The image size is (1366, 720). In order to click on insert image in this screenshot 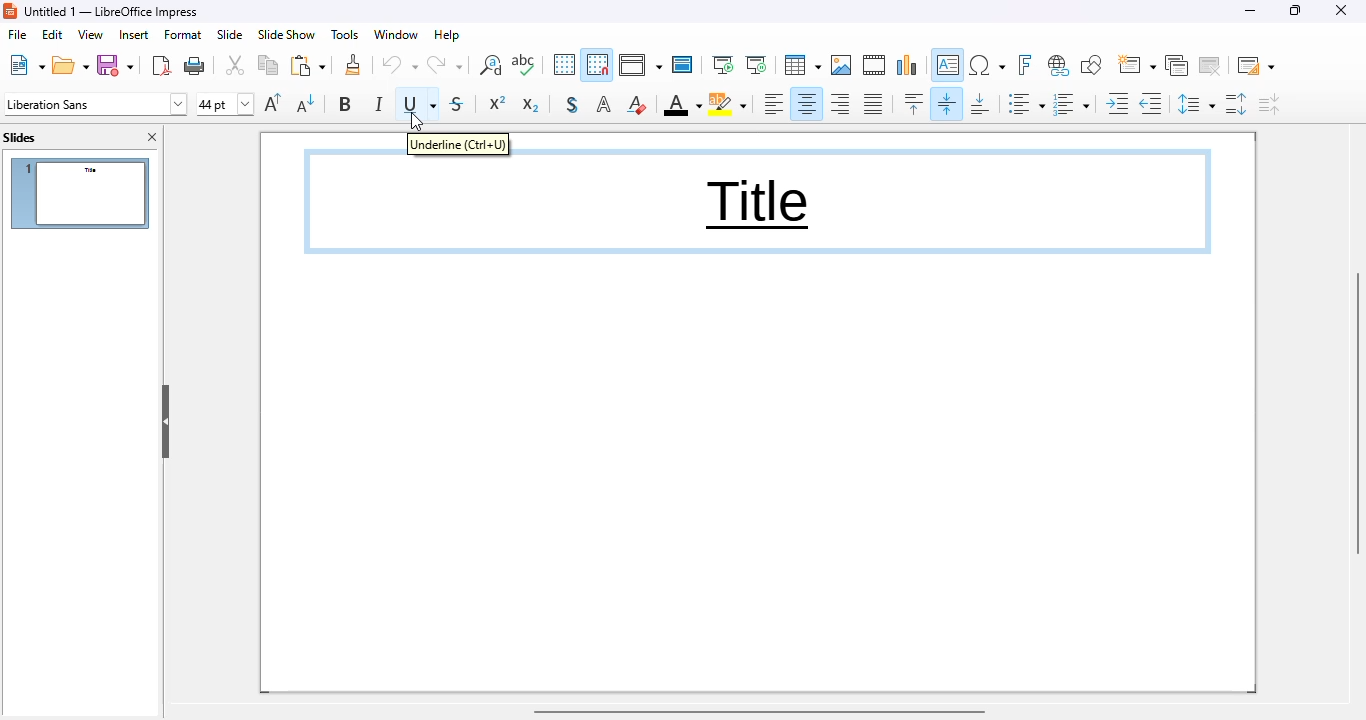, I will do `click(842, 65)`.